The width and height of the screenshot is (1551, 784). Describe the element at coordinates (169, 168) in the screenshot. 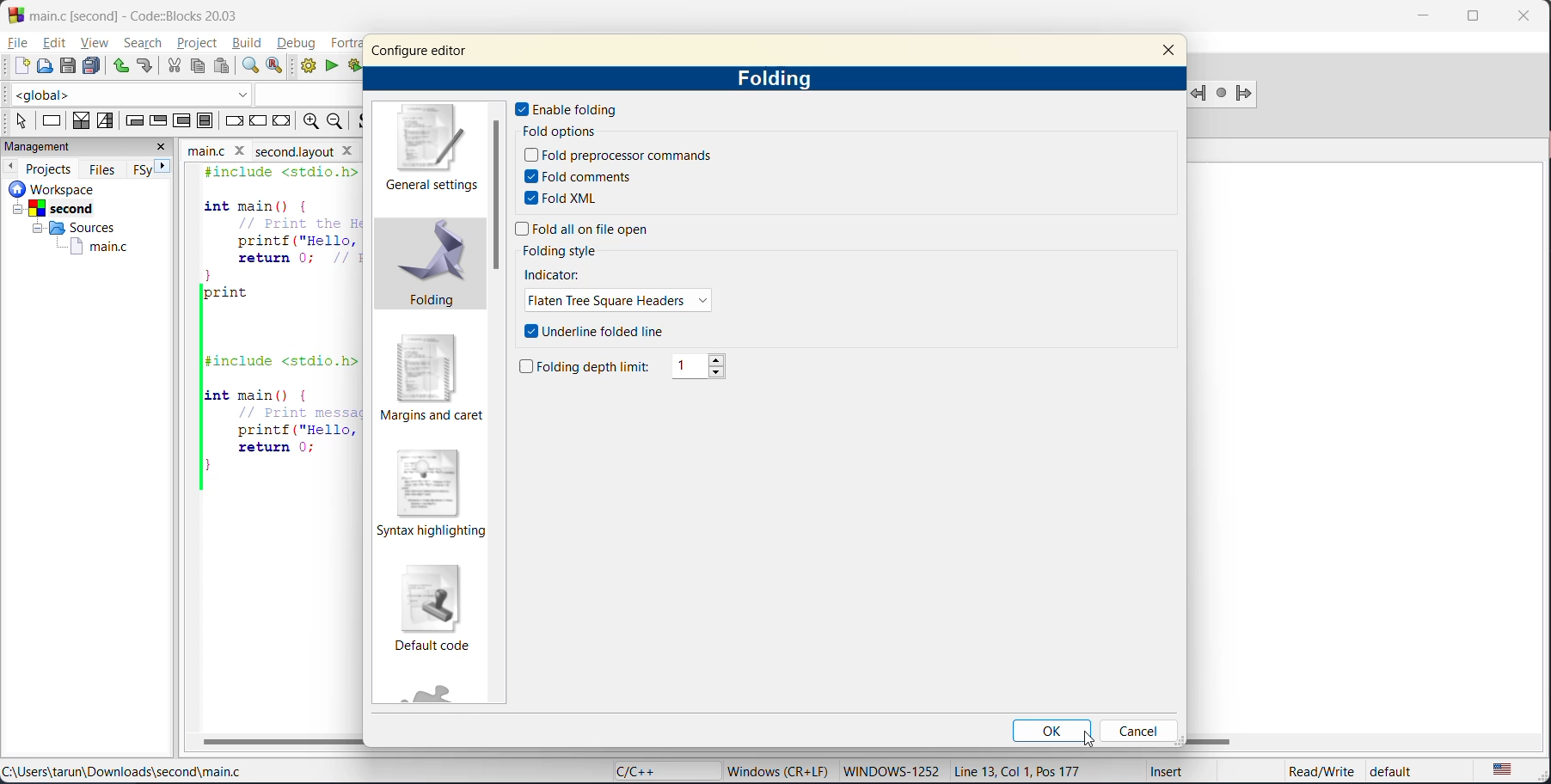

I see `next` at that location.